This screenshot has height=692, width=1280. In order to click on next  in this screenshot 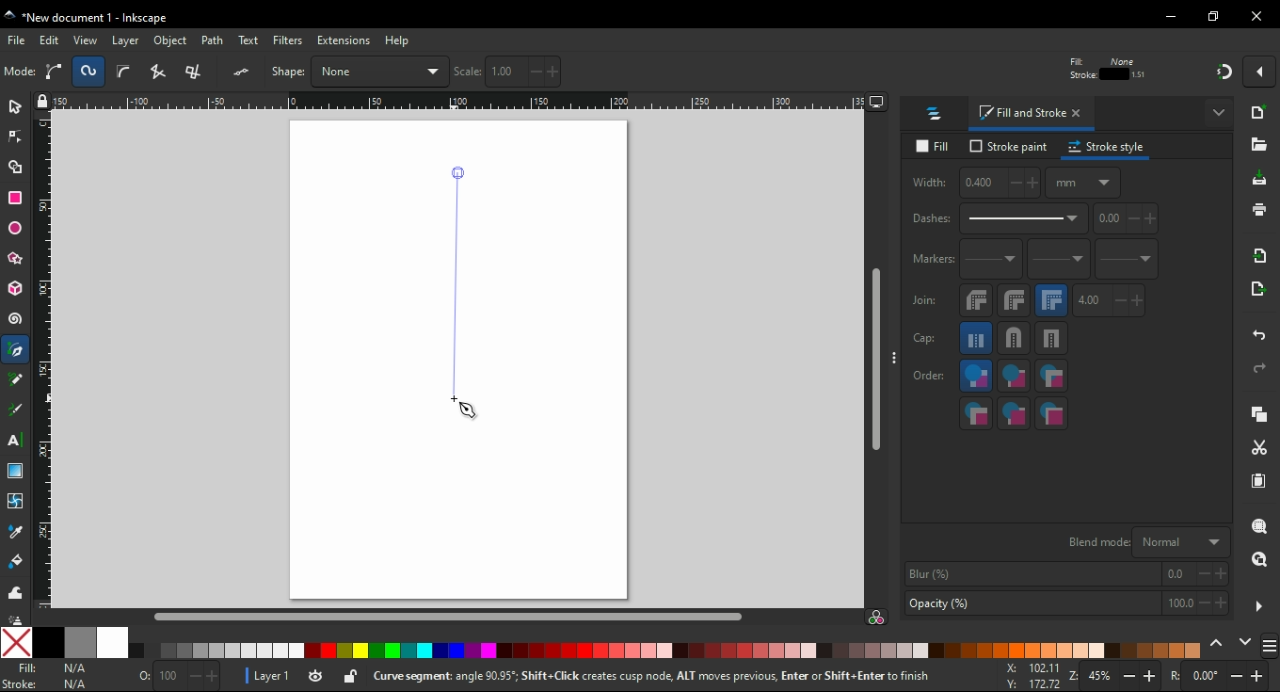, I will do `click(1246, 644)`.